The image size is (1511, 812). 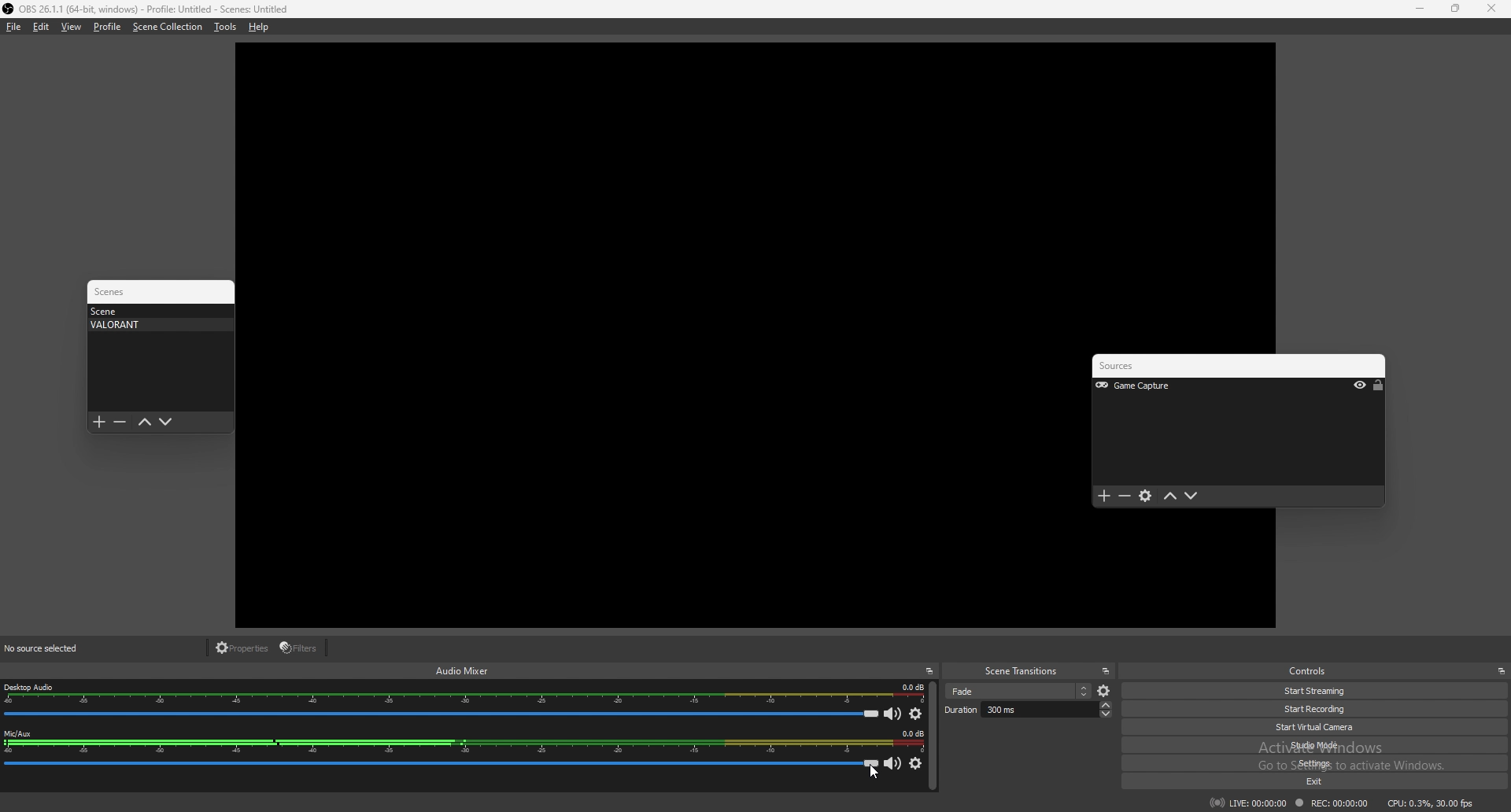 I want to click on mic/aux settings, so click(x=915, y=764).